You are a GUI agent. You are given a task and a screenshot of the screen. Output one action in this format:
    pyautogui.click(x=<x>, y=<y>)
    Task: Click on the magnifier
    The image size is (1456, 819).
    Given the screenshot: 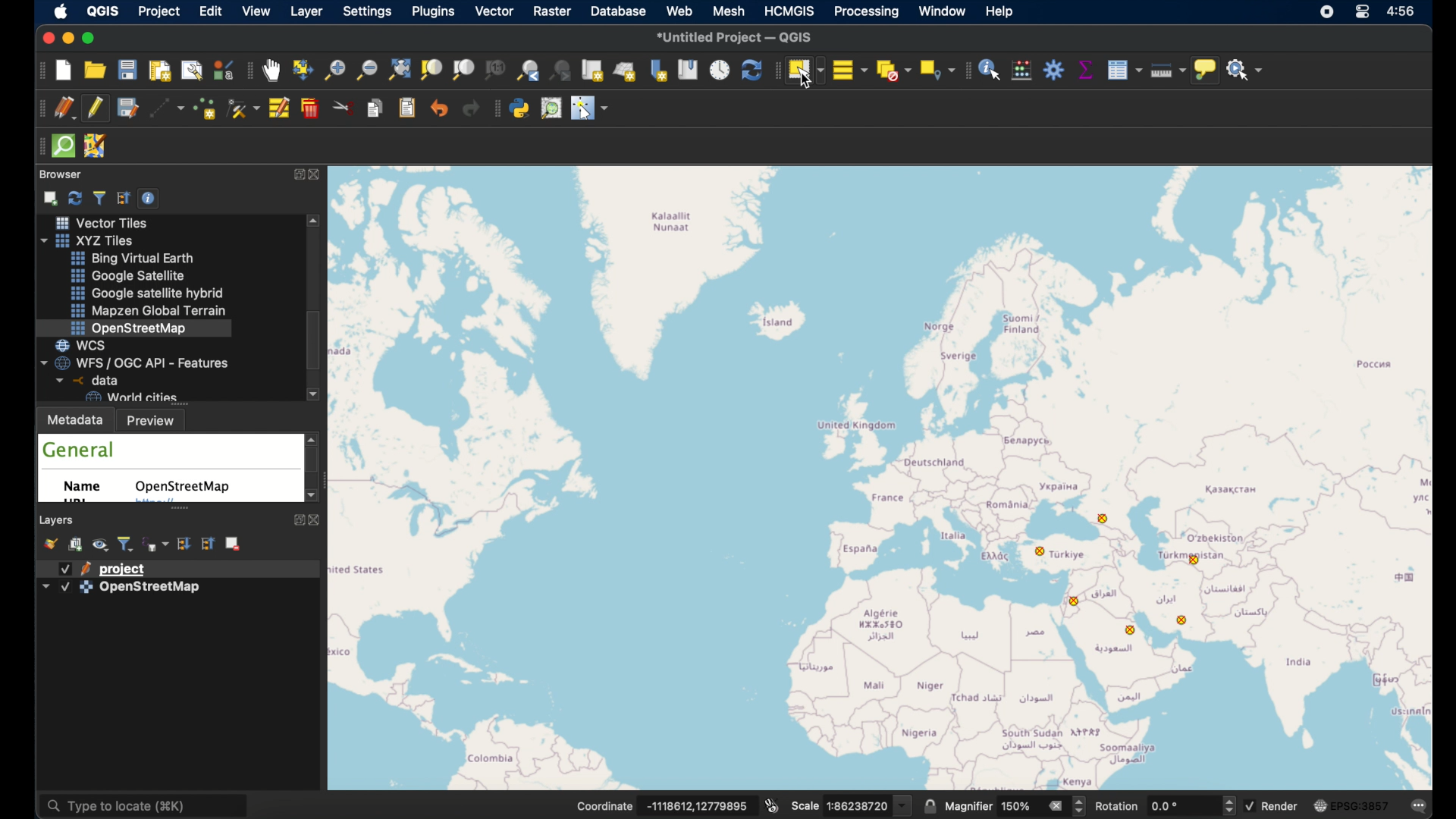 What is the action you would take?
    pyautogui.click(x=968, y=806)
    